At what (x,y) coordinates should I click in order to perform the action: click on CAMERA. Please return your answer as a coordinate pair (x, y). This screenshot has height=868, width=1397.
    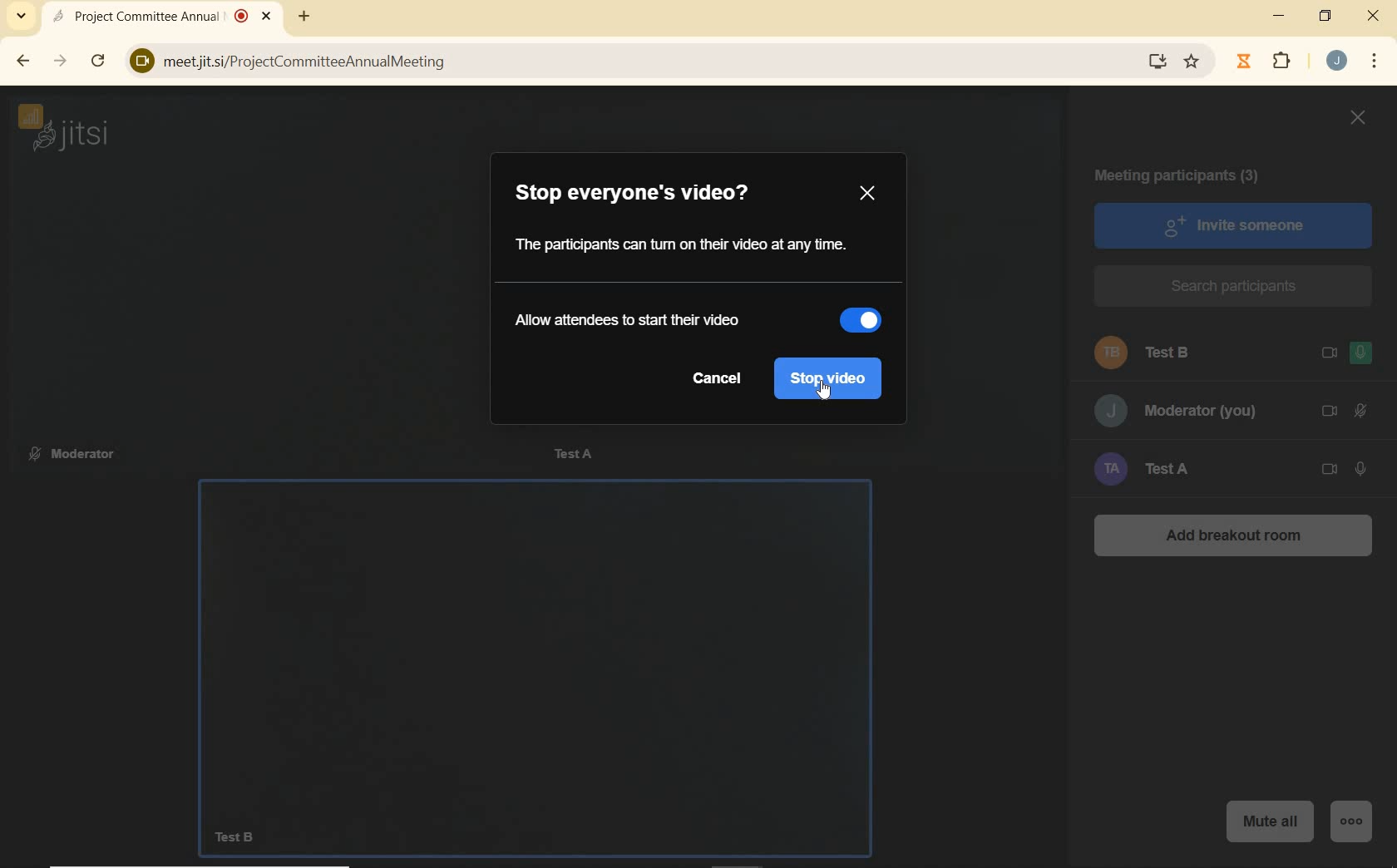
    Looking at the image, I should click on (1327, 355).